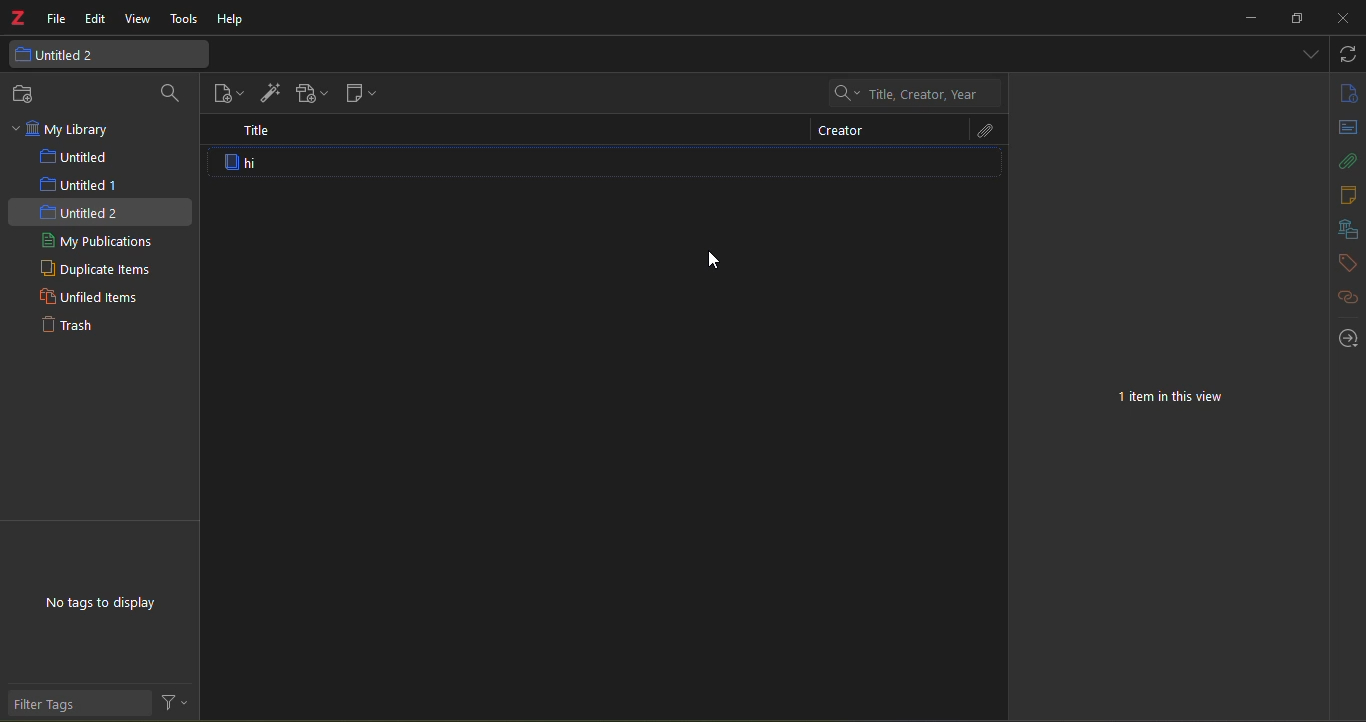  I want to click on item, so click(246, 164).